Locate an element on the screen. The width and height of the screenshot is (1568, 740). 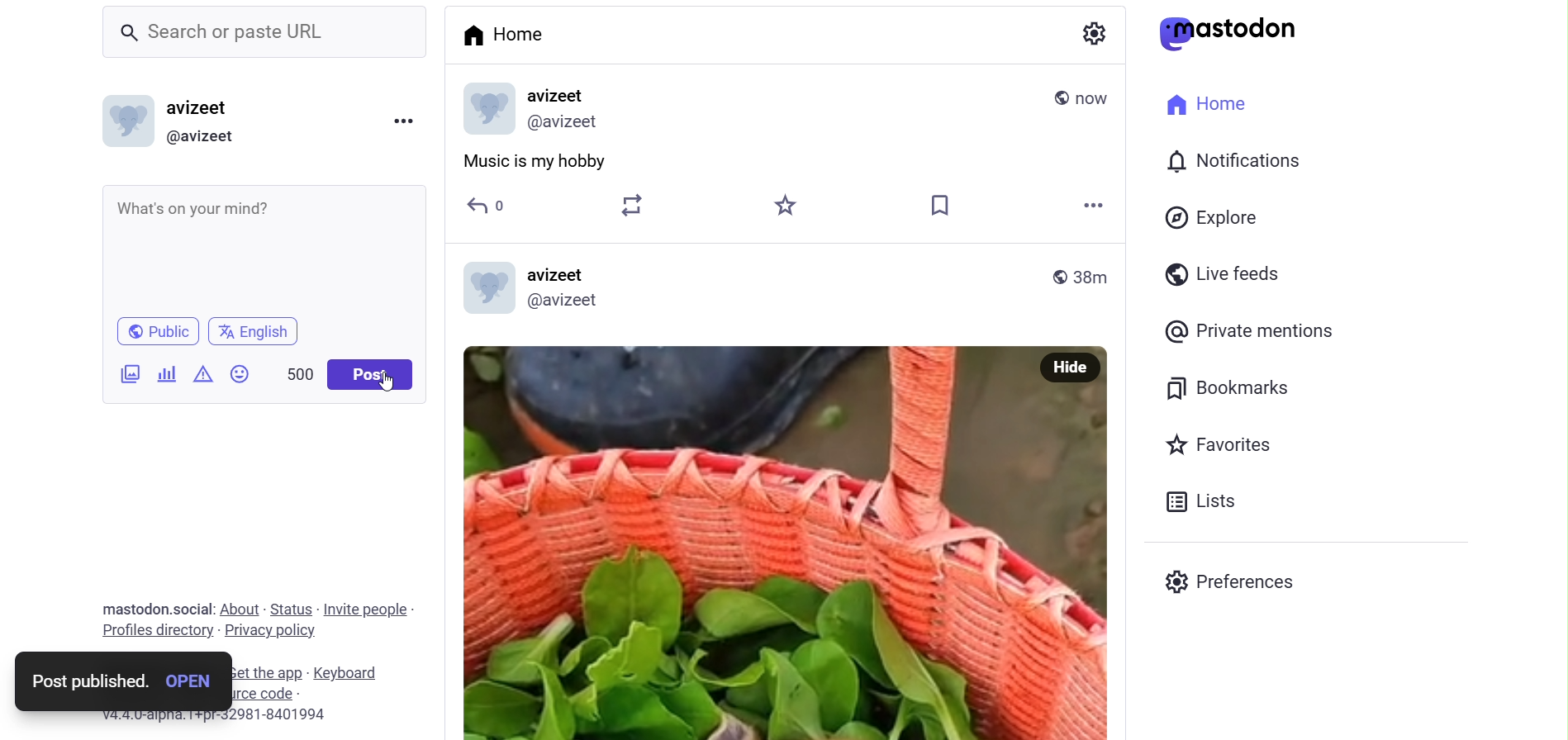
Boost is located at coordinates (632, 206).